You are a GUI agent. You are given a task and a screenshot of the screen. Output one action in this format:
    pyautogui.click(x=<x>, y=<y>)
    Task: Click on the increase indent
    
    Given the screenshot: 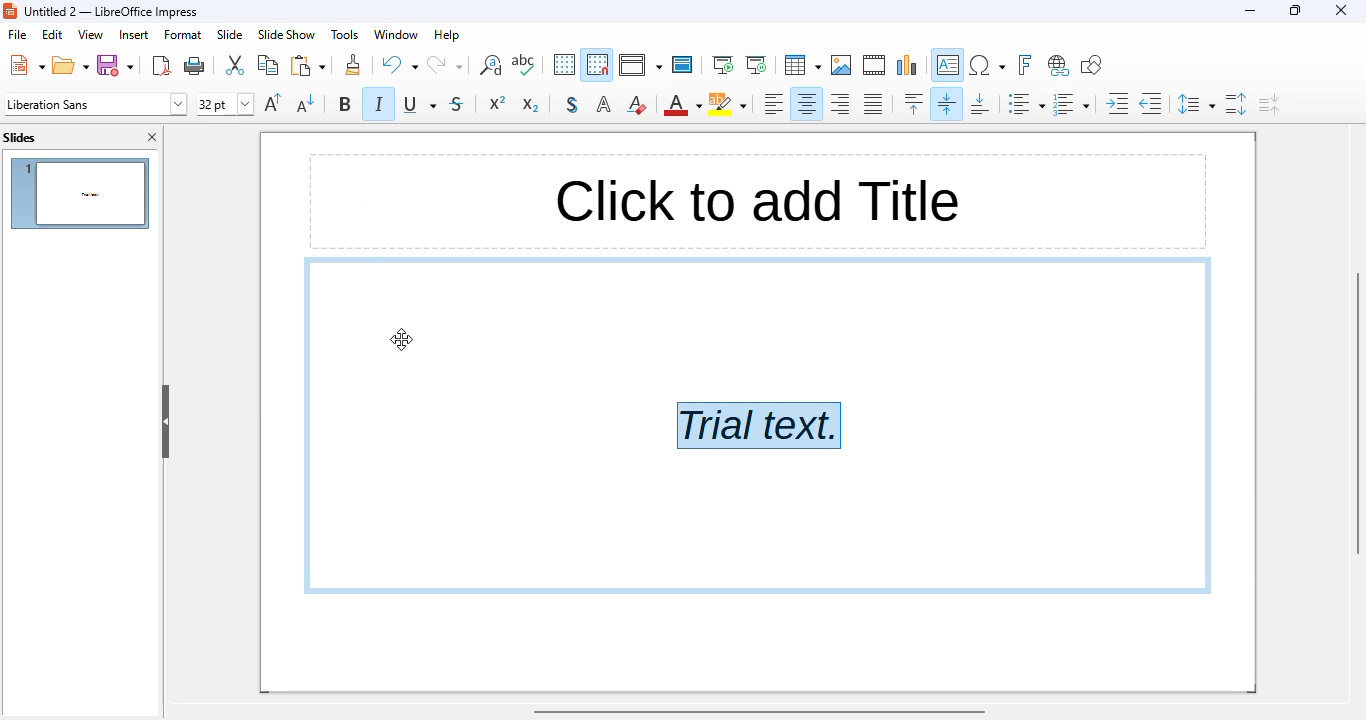 What is the action you would take?
    pyautogui.click(x=1118, y=104)
    